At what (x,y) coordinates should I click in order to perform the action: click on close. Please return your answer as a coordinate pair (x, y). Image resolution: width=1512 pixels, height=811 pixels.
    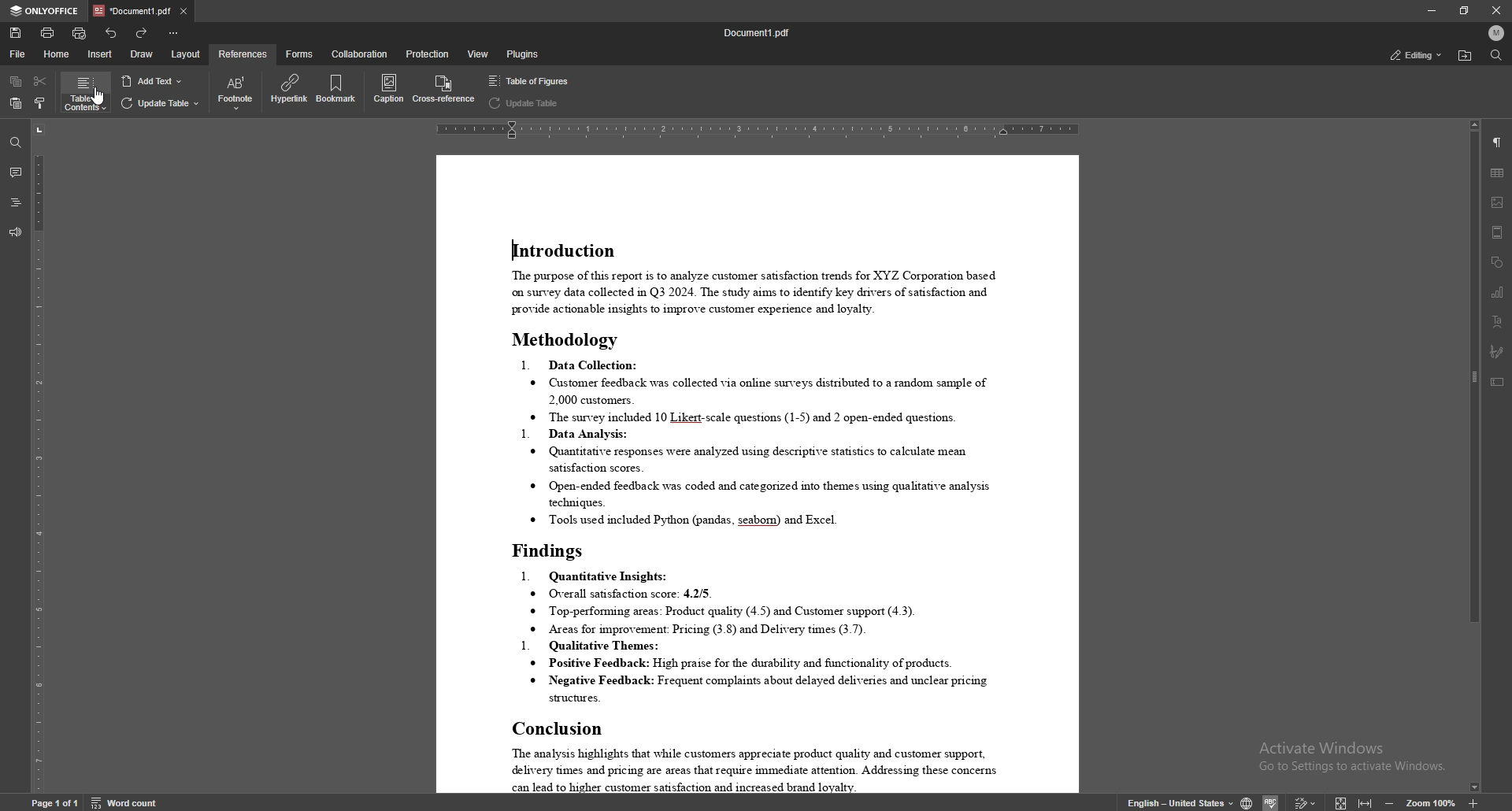
    Looking at the image, I should click on (187, 10).